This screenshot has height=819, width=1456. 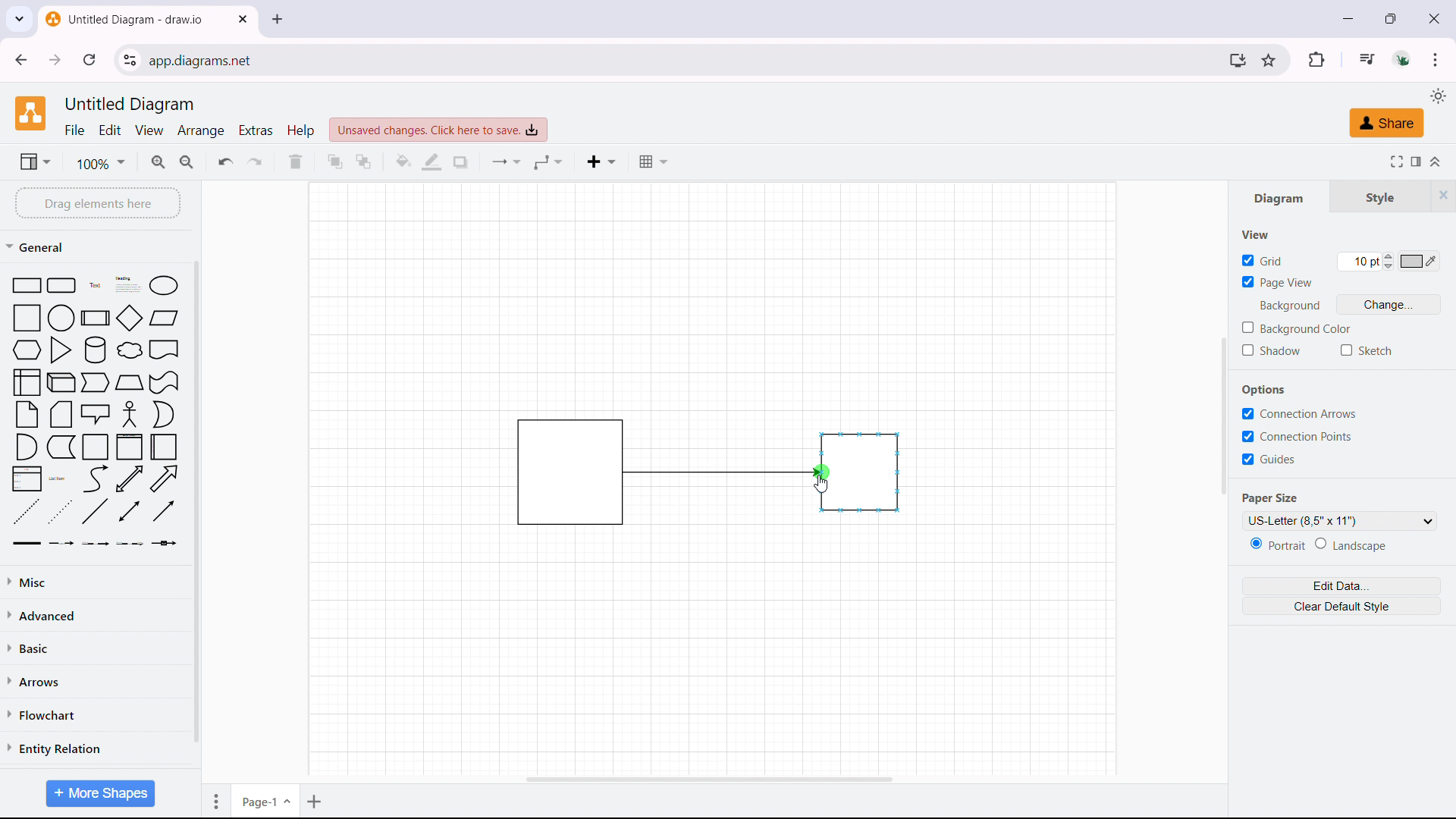 What do you see at coordinates (132, 105) in the screenshot?
I see `document title` at bounding box center [132, 105].